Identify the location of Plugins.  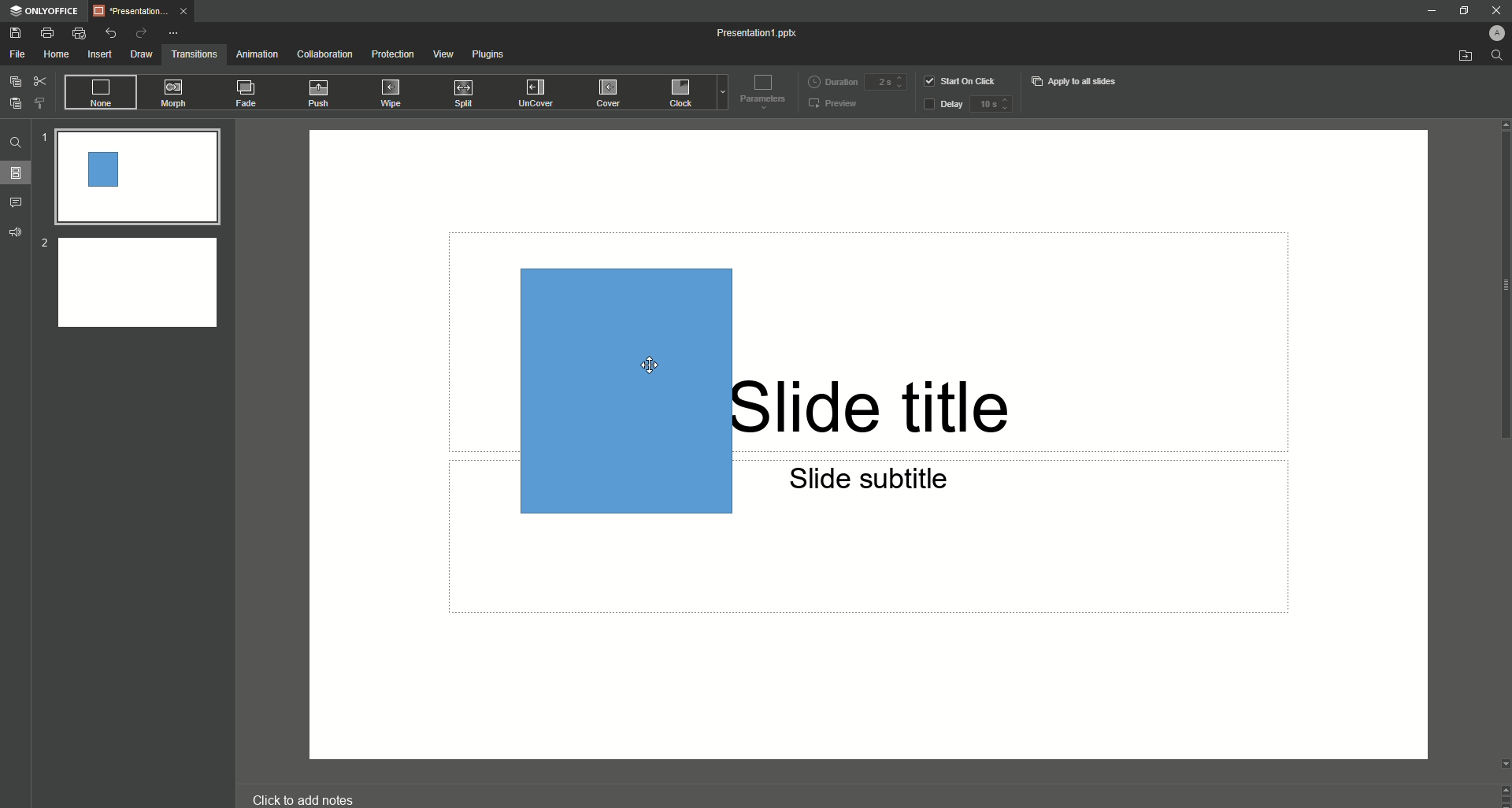
(491, 56).